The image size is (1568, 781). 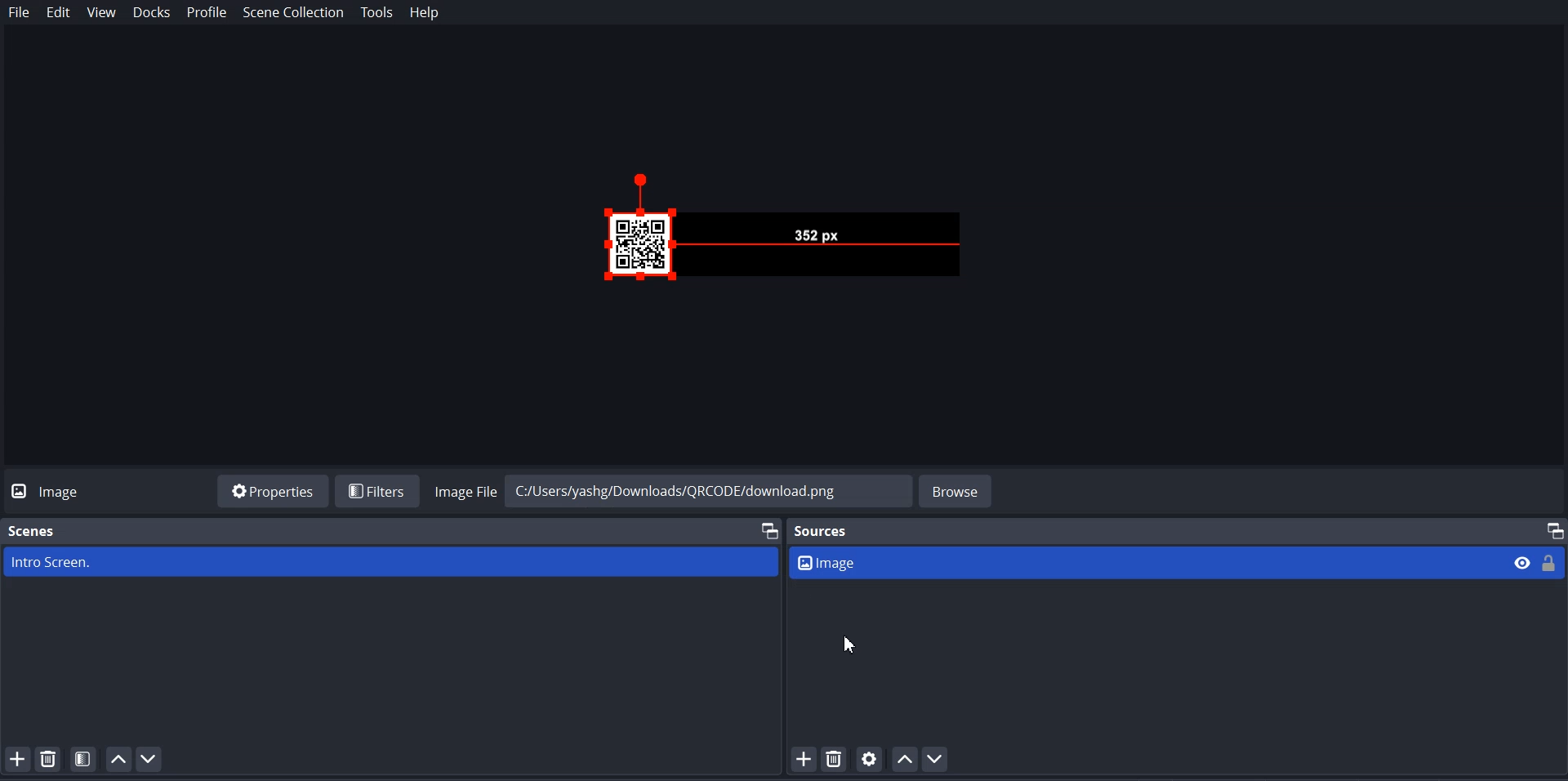 I want to click on Drag Cursor, so click(x=673, y=274).